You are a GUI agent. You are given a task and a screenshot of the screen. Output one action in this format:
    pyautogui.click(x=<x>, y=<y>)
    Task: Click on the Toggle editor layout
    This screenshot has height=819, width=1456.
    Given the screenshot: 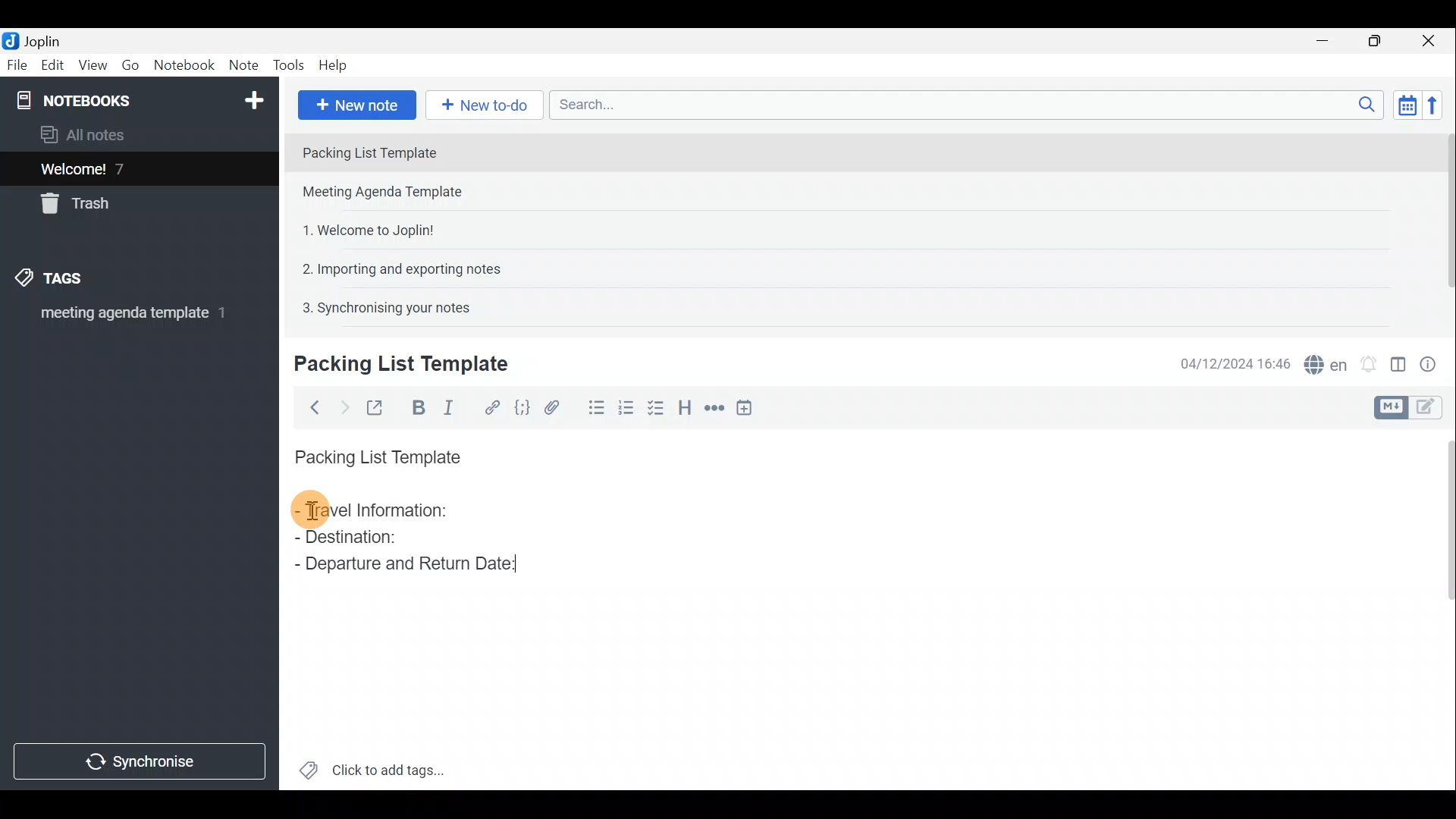 What is the action you would take?
    pyautogui.click(x=1398, y=359)
    